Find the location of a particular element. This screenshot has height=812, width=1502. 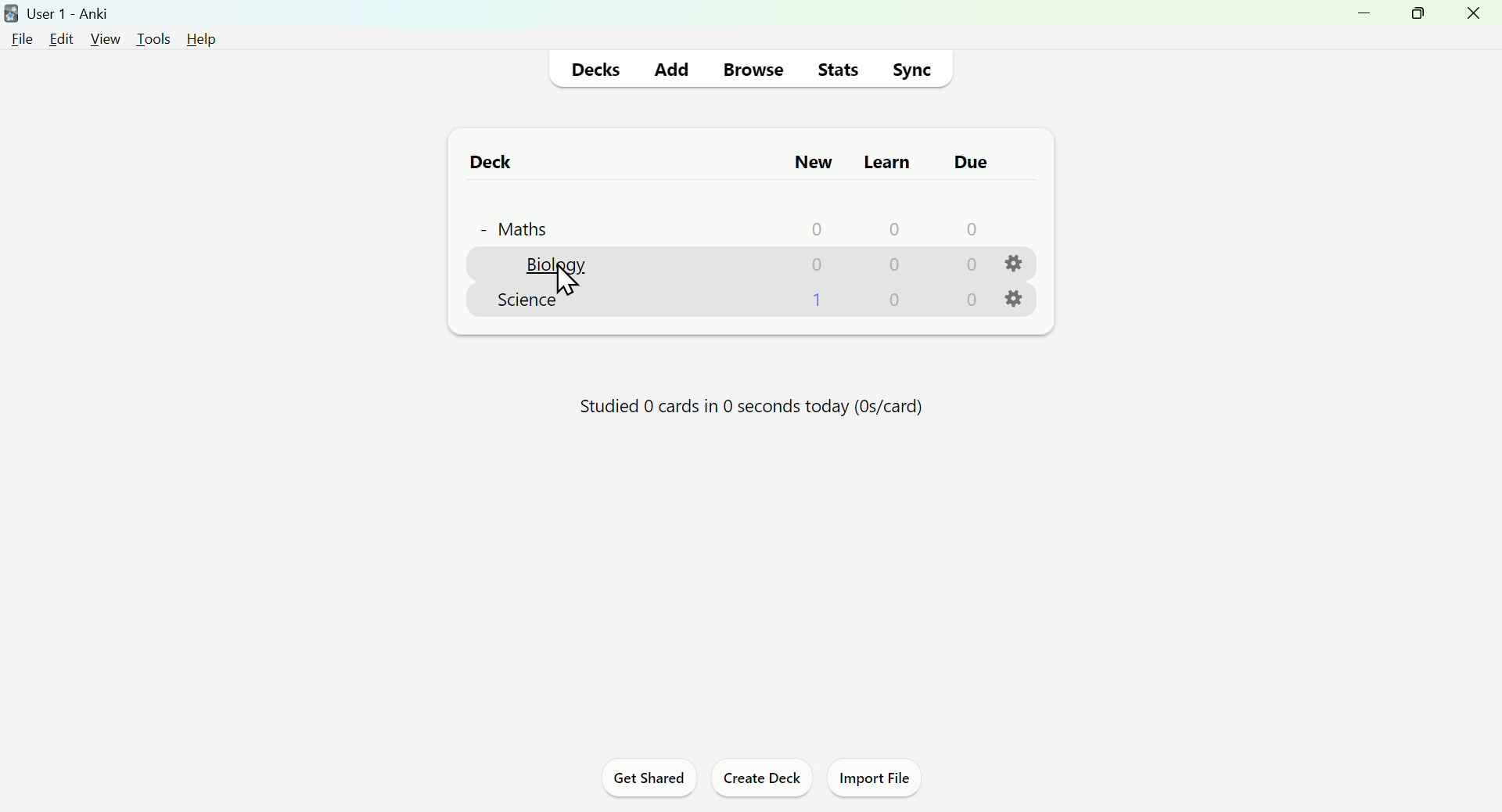

Studied 0 cards in 0 seconds today (Os/card) is located at coordinates (752, 405).